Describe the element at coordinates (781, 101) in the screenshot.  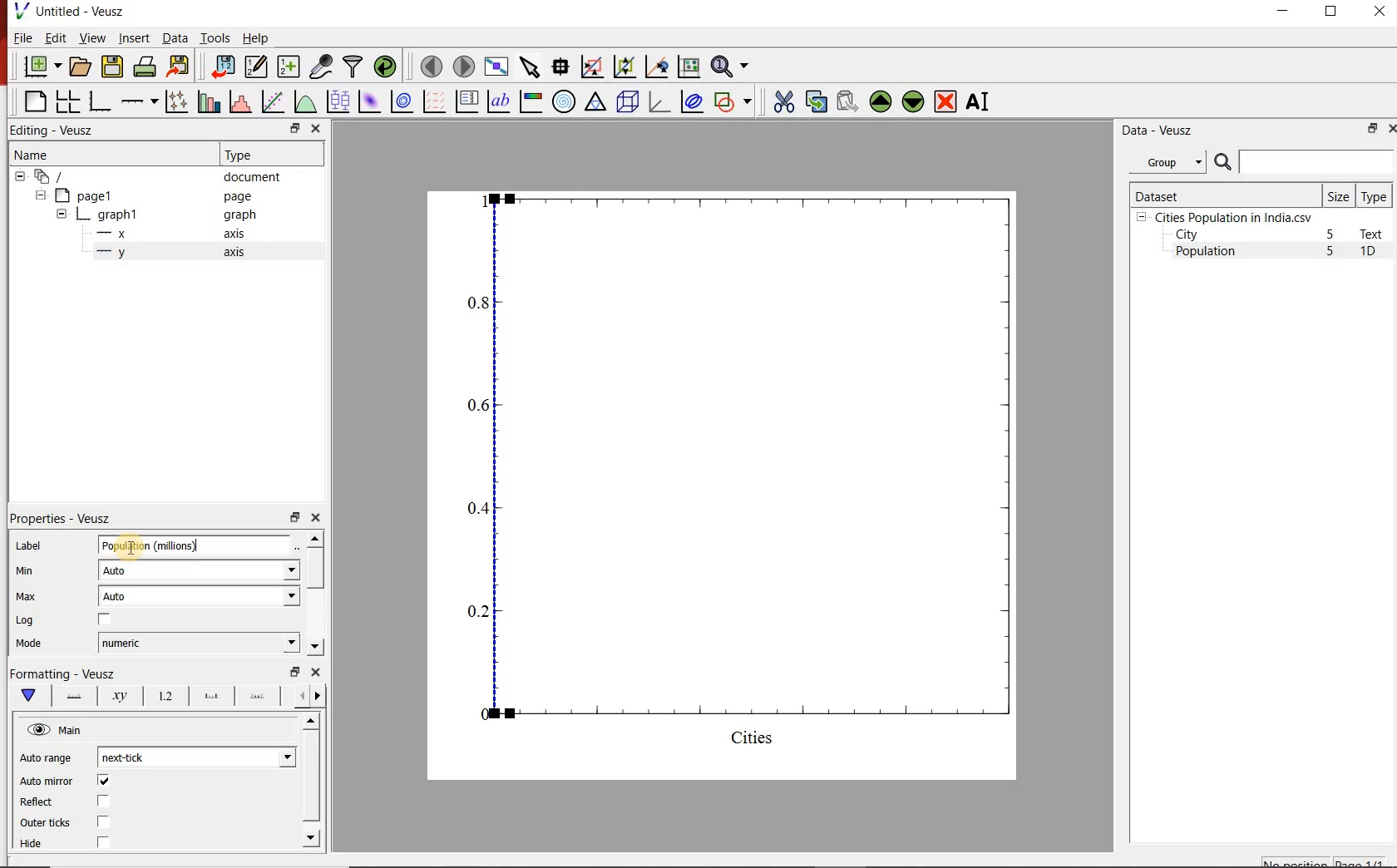
I see `cut the selected widget` at that location.